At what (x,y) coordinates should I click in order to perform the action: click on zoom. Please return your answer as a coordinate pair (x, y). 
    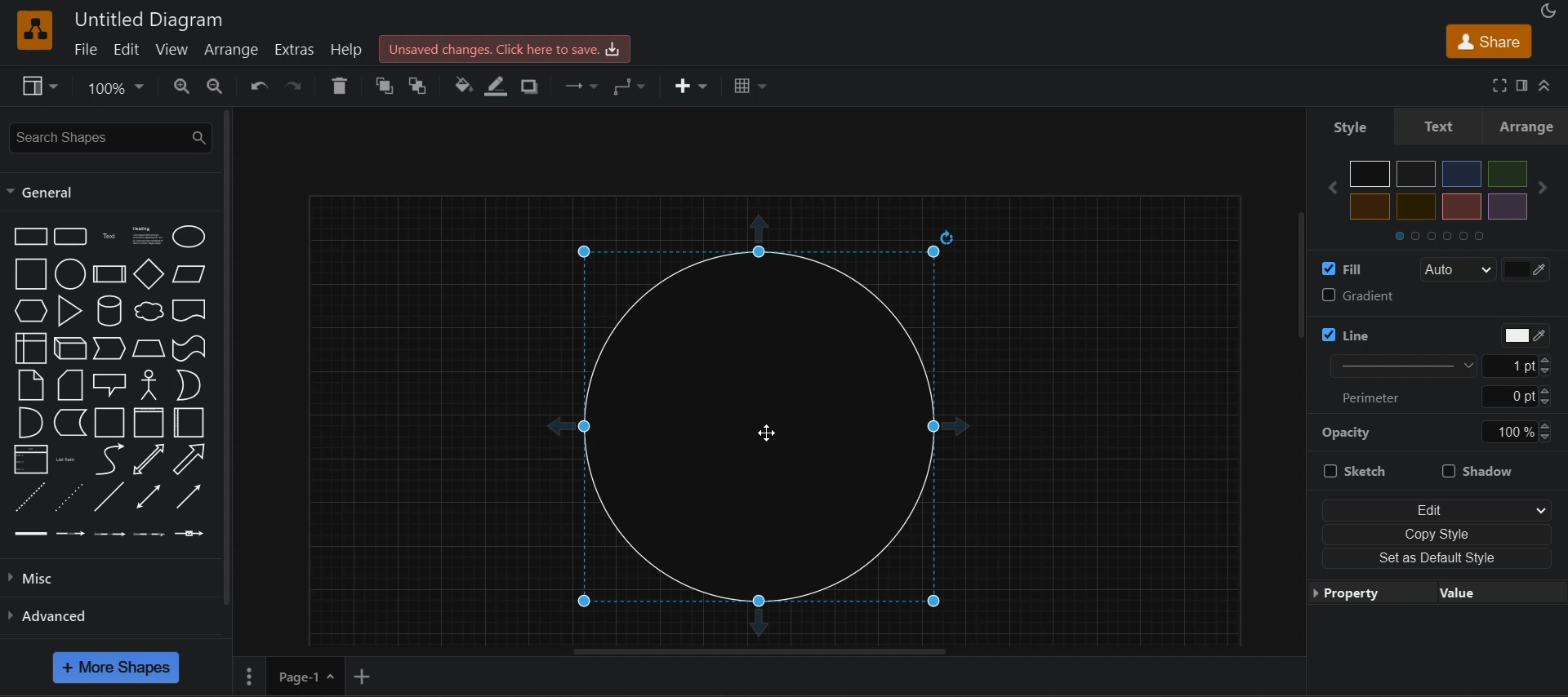
    Looking at the image, I should click on (122, 87).